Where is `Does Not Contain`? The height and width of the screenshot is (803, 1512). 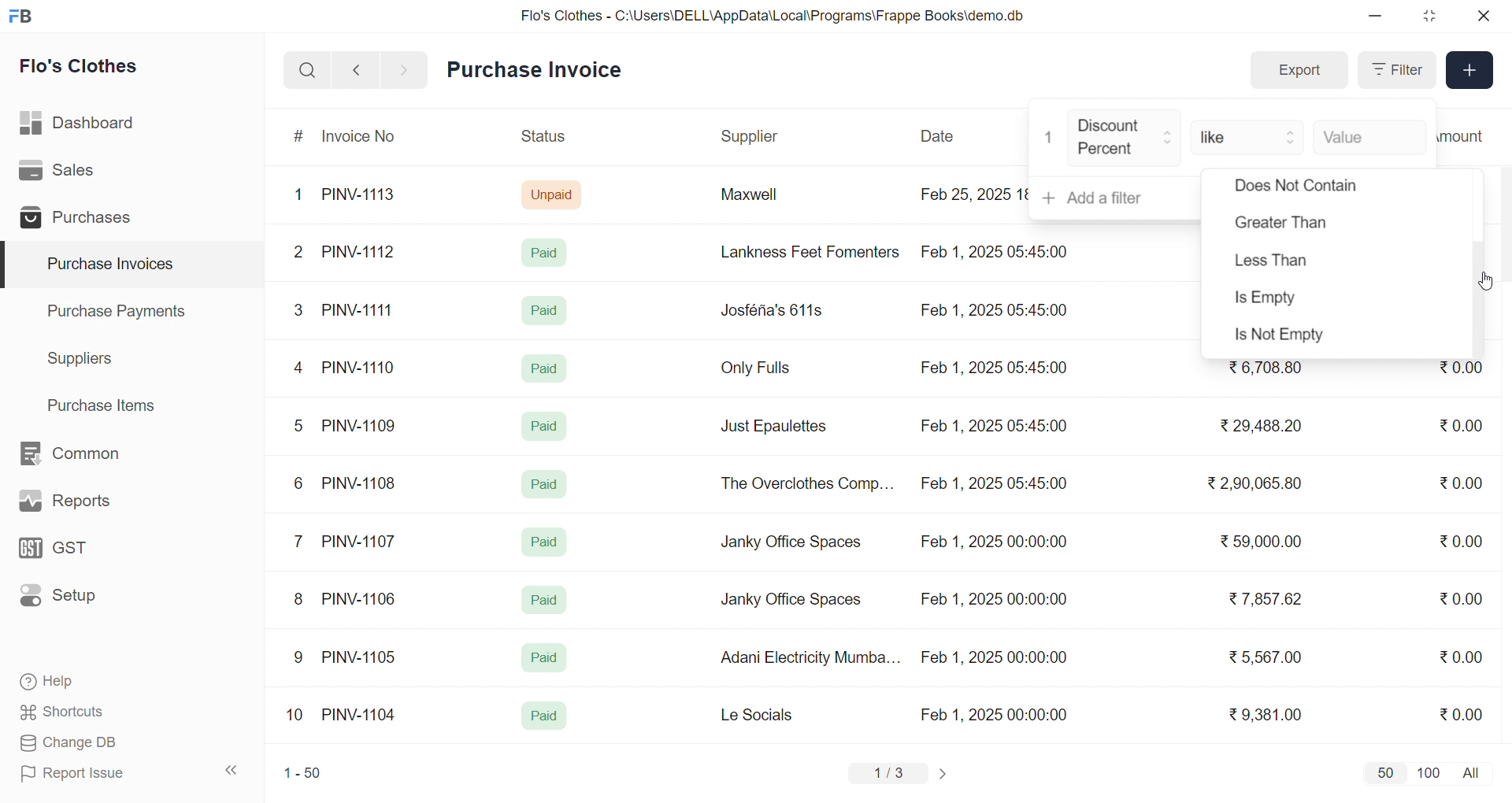
Does Not Contain is located at coordinates (1296, 189).